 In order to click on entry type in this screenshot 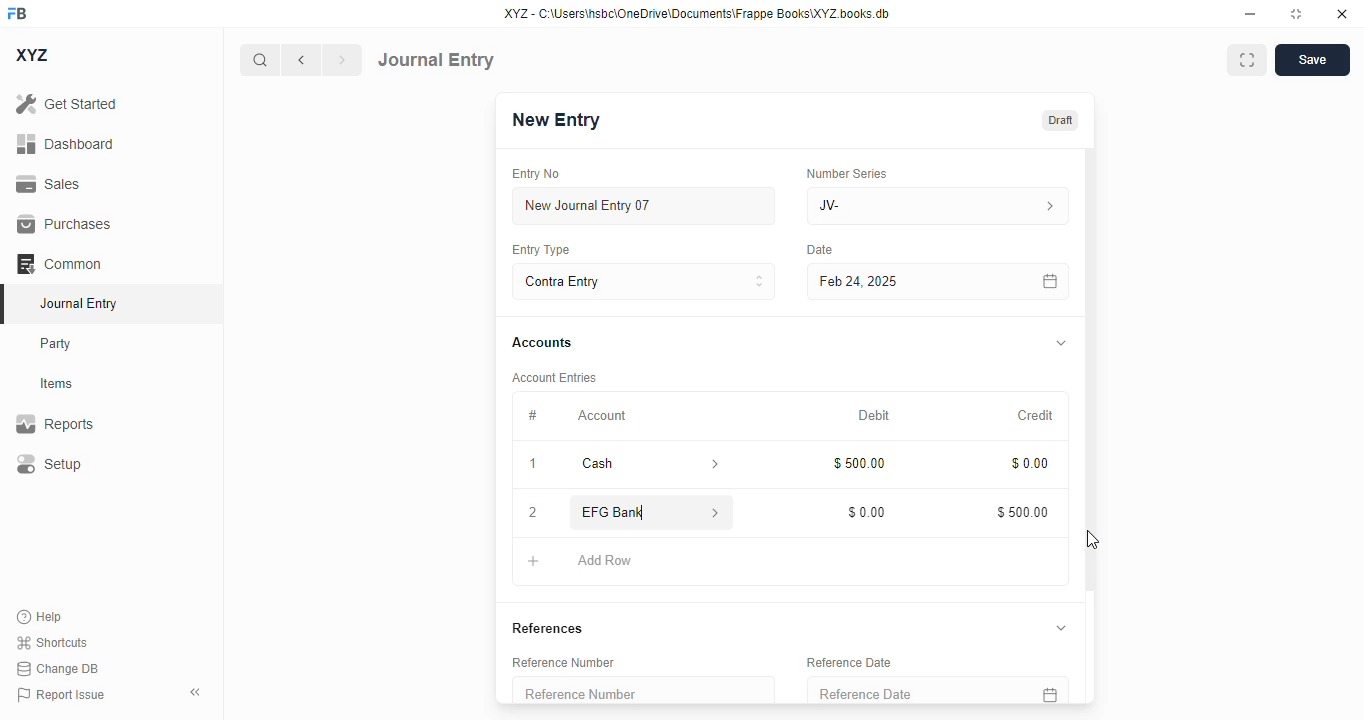, I will do `click(542, 250)`.